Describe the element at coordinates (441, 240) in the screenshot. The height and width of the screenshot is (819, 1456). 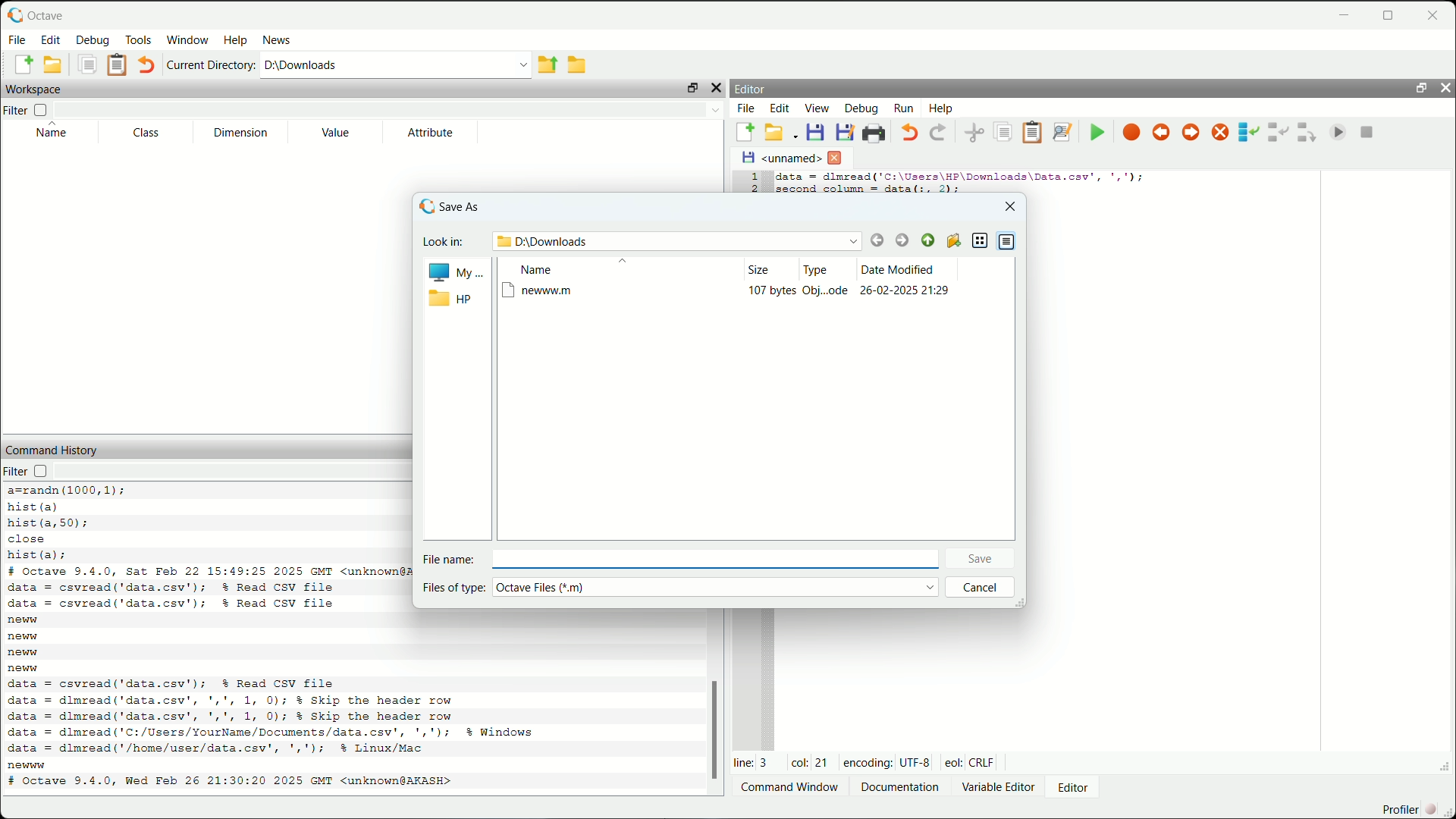
I see `look in` at that location.